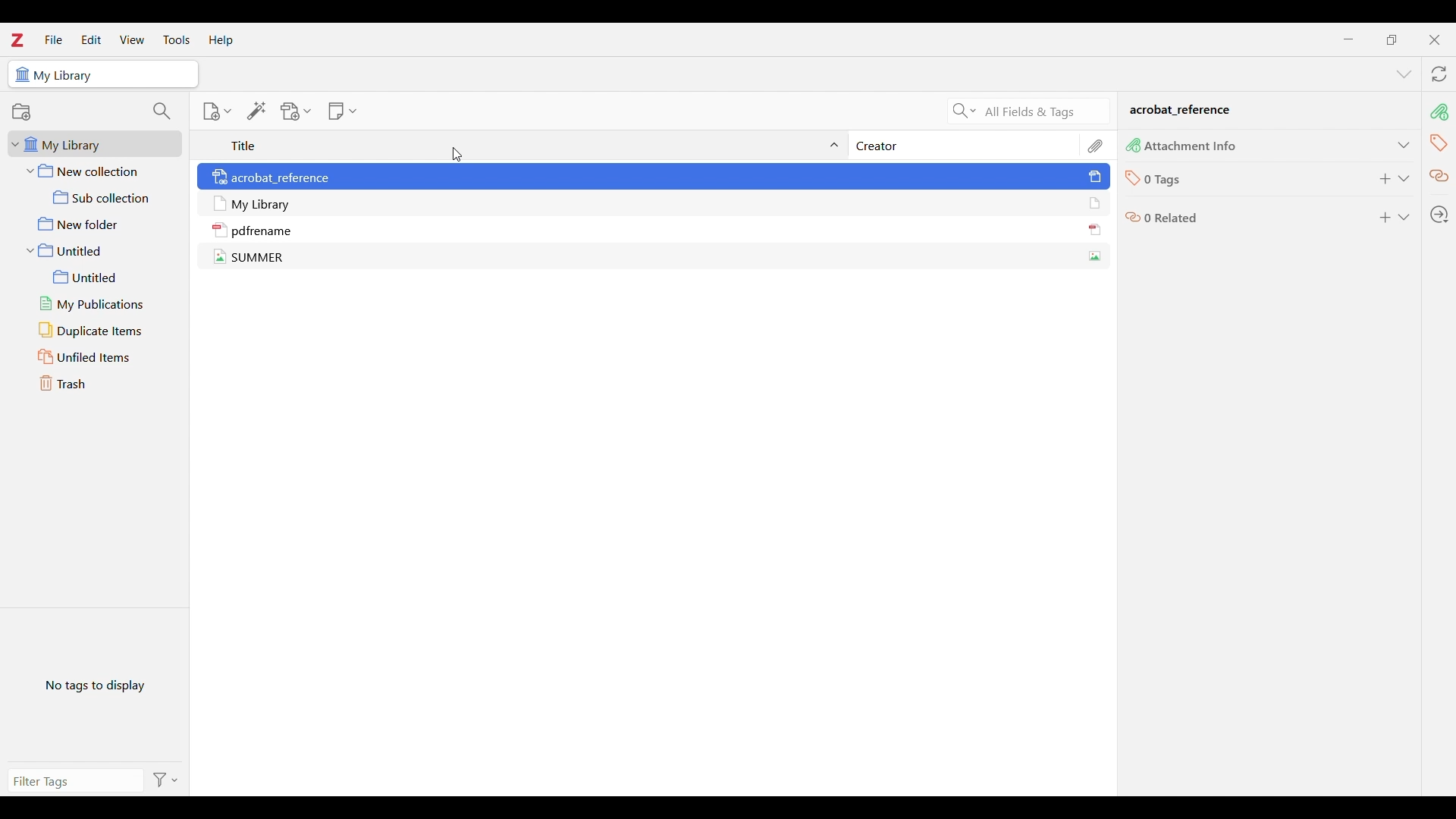  What do you see at coordinates (1439, 74) in the screenshot?
I see `Sync with zotero.org` at bounding box center [1439, 74].